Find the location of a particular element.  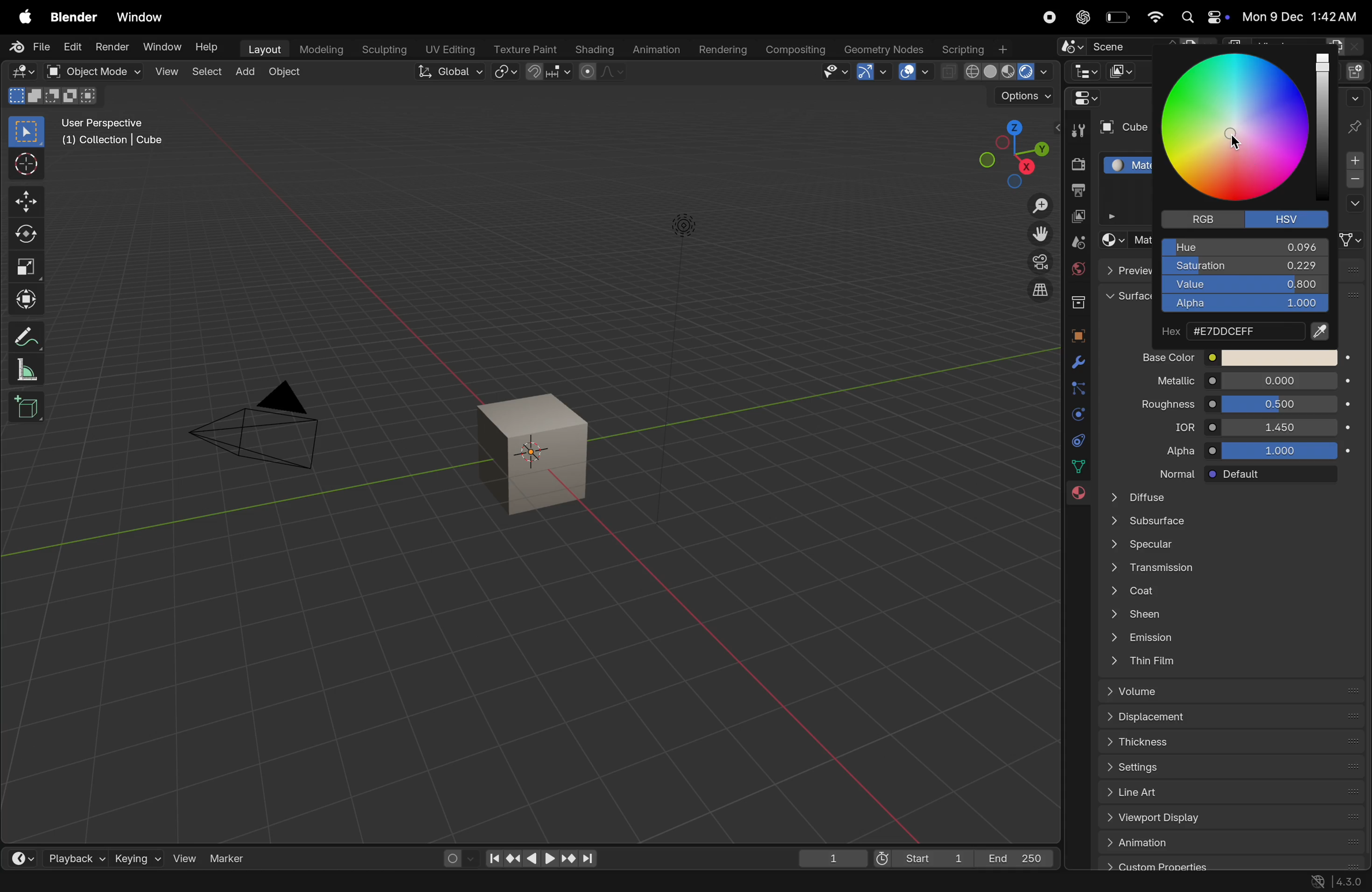

color wheel is located at coordinates (1241, 131).